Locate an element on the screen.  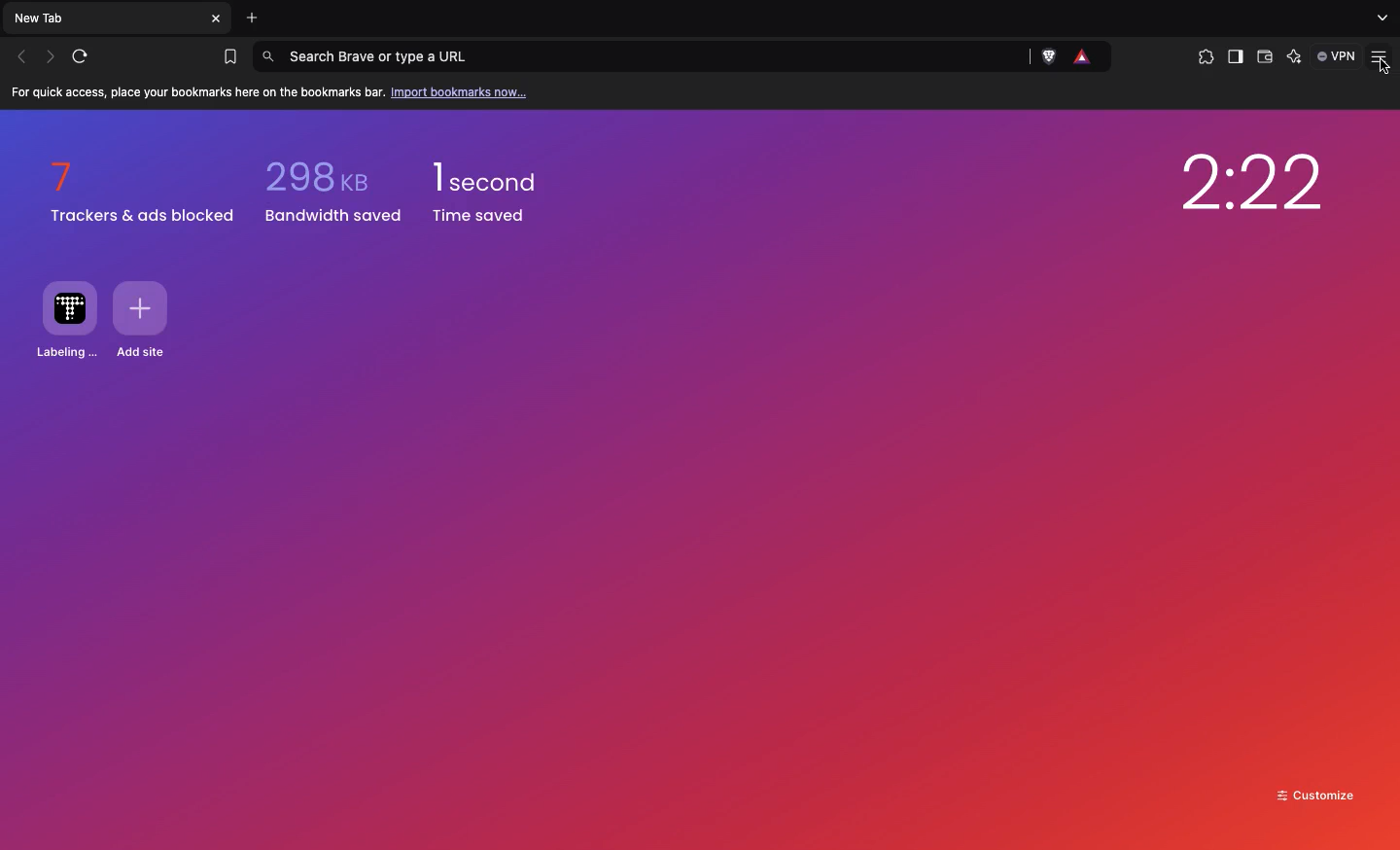
Import bookmarks now is located at coordinates (461, 93).